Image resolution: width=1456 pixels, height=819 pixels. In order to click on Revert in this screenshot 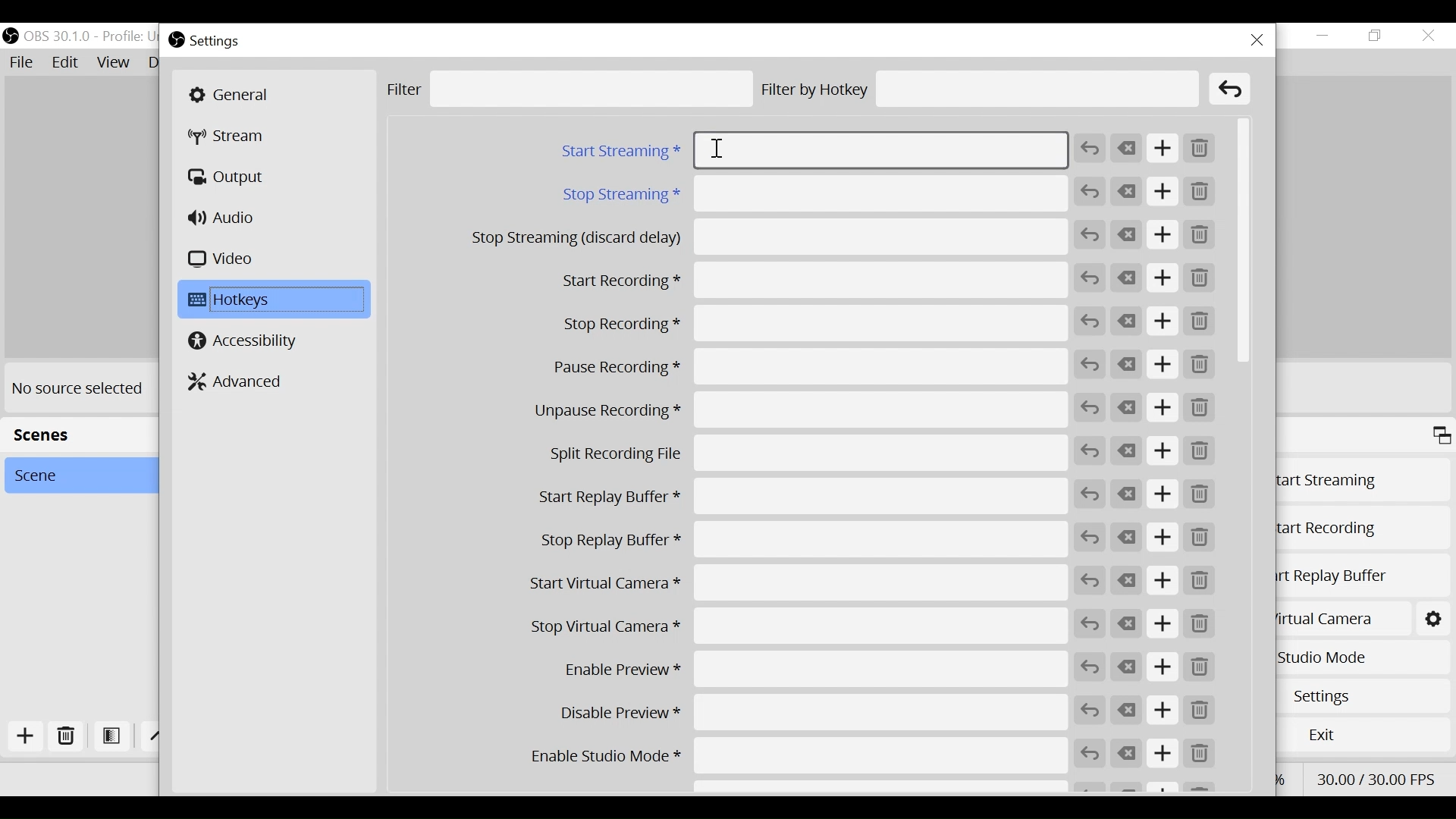, I will do `click(1090, 624)`.